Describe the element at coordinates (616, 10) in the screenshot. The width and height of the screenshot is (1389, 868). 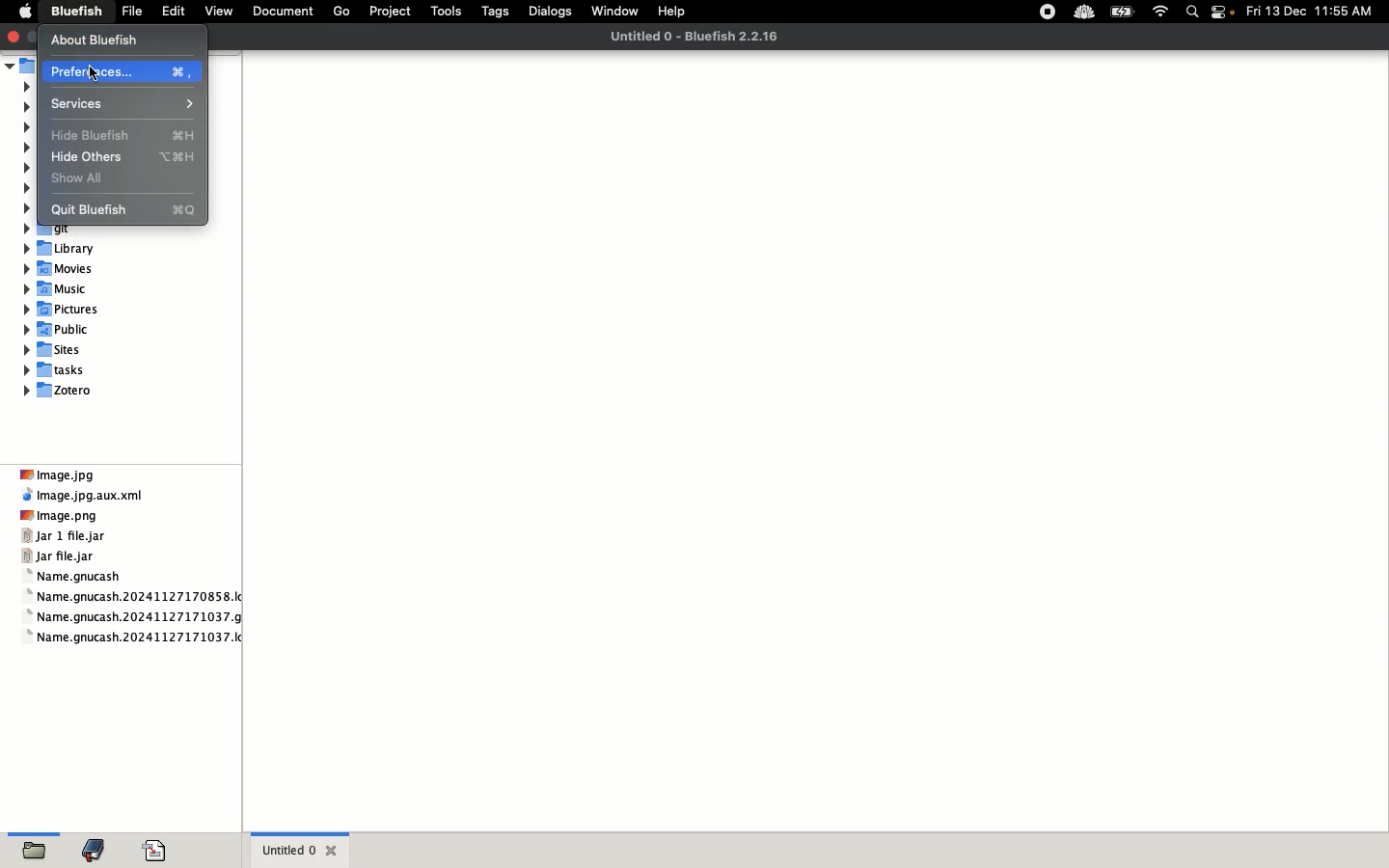
I see `windows` at that location.